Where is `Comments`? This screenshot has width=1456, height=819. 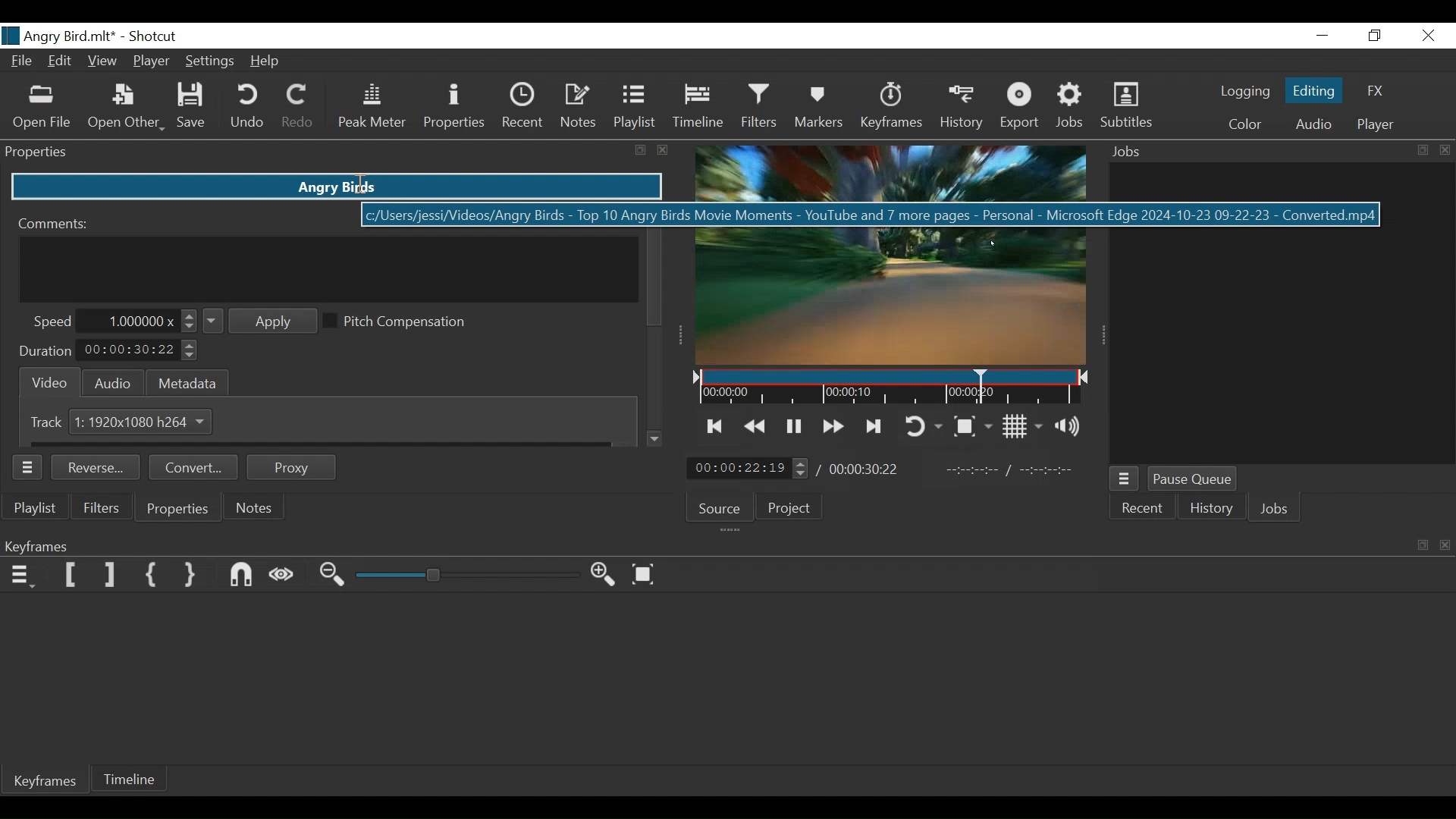
Comments is located at coordinates (55, 223).